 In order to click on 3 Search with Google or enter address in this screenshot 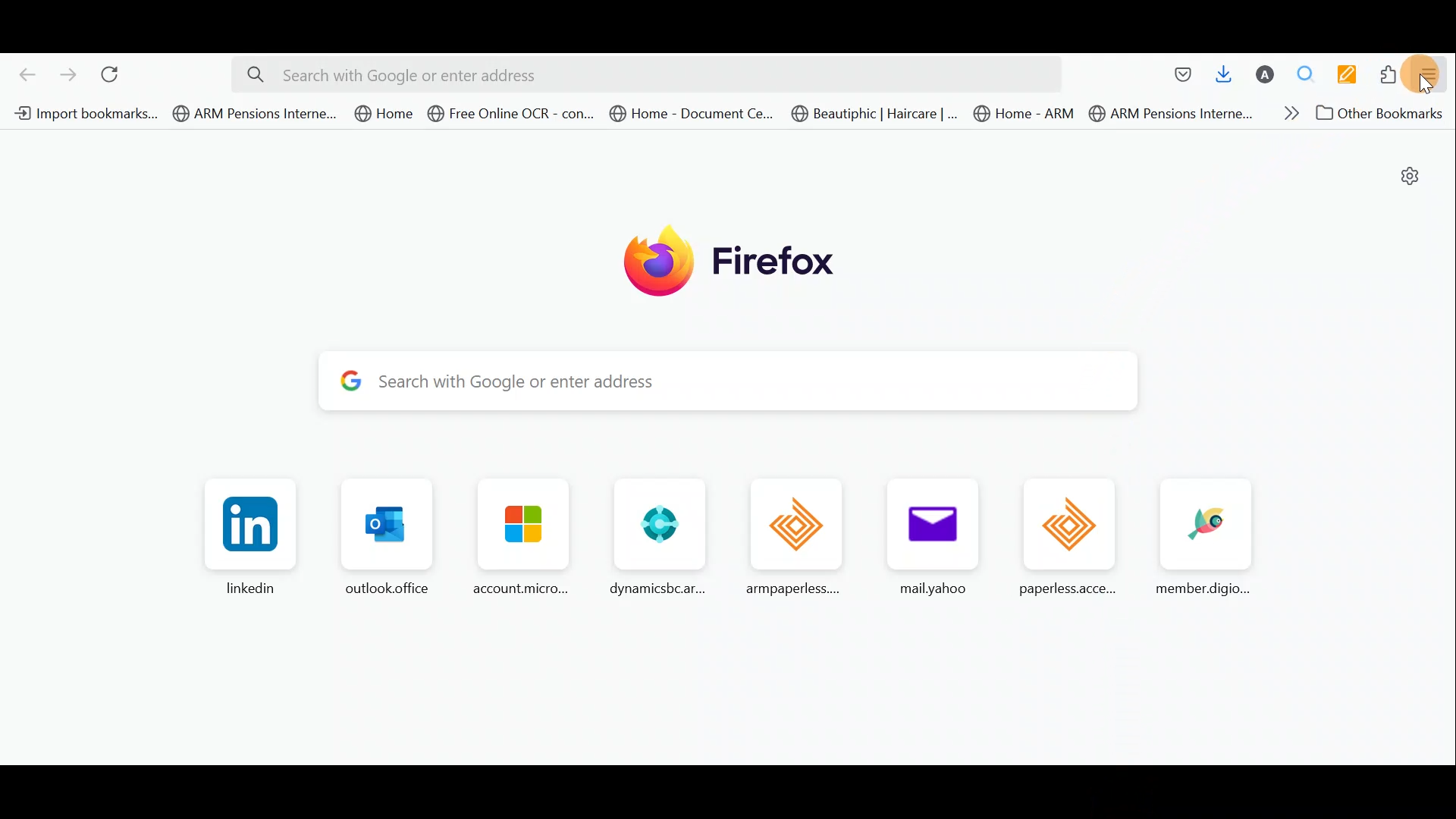, I will do `click(749, 382)`.